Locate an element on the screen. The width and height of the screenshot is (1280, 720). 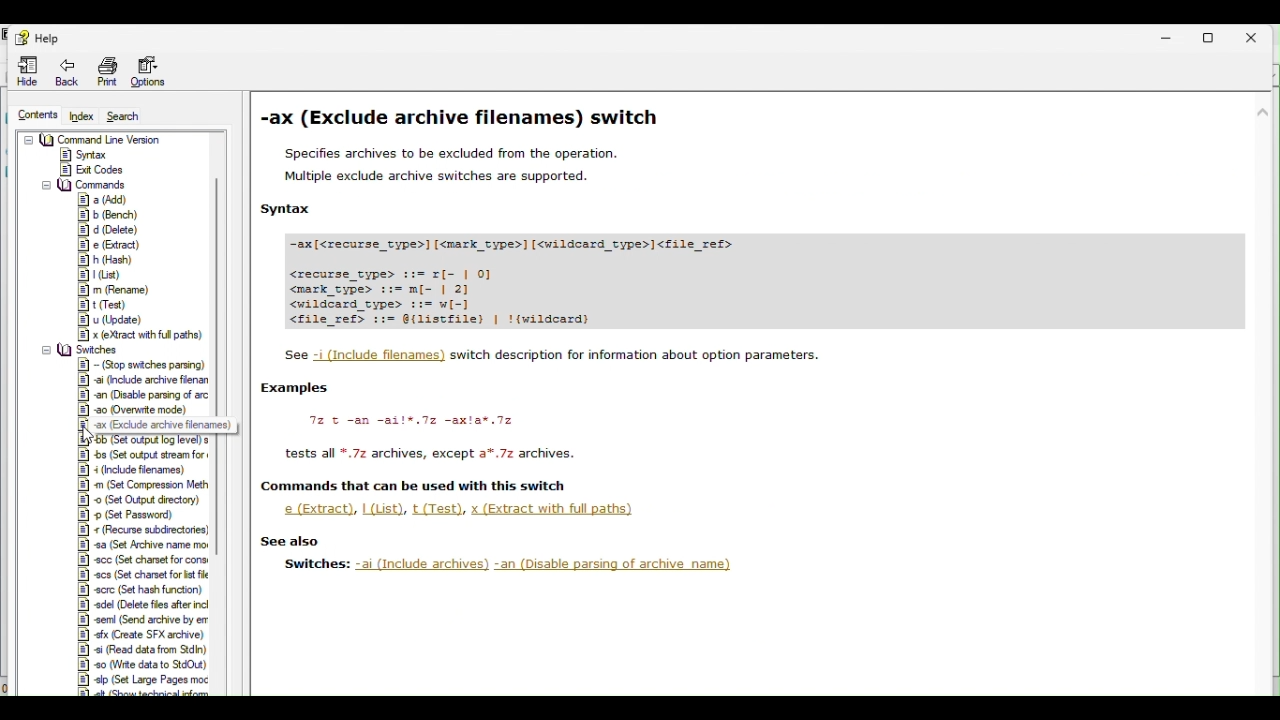
1 (Include filenames) is located at coordinates (381, 356).